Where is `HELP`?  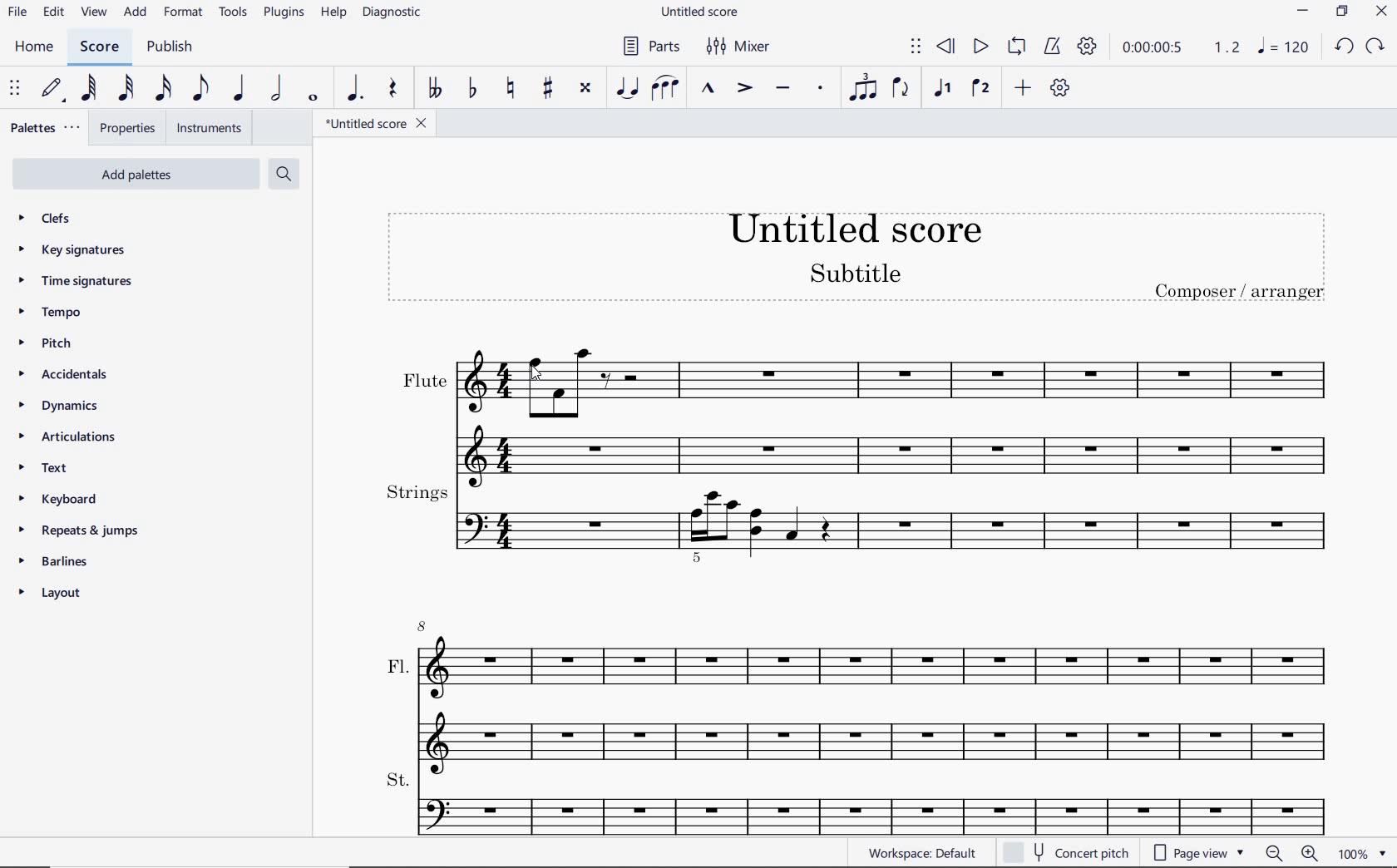 HELP is located at coordinates (333, 14).